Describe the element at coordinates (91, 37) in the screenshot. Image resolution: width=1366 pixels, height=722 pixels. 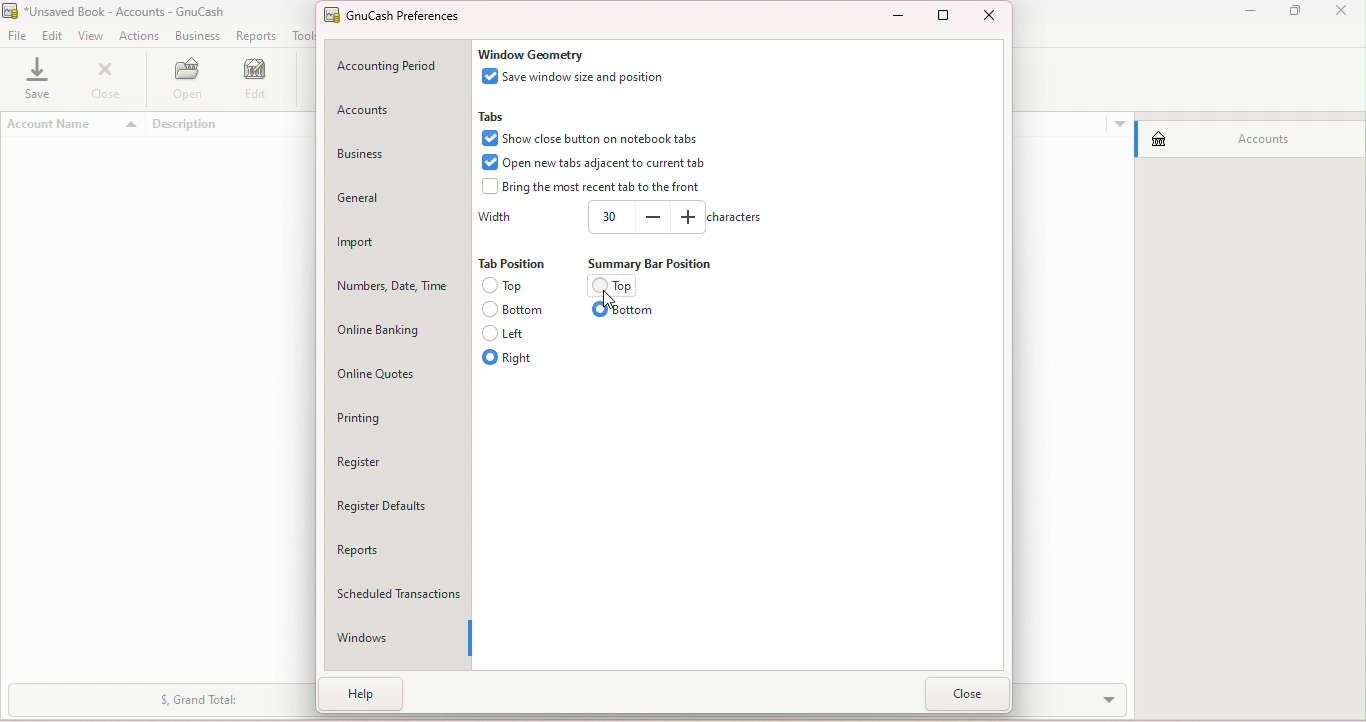
I see `View` at that location.